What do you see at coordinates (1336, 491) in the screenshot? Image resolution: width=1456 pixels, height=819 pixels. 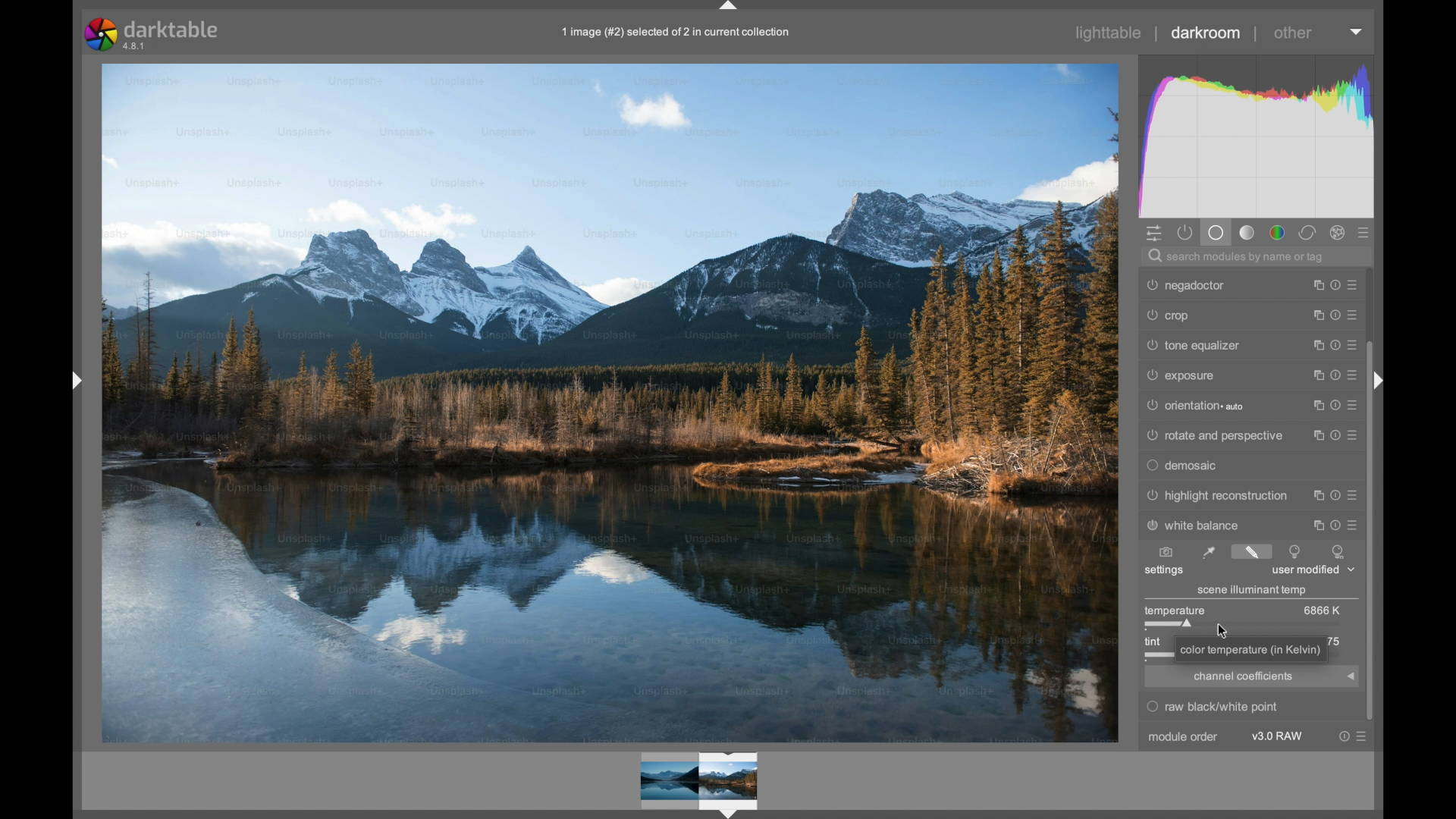 I see `reset parameters` at bounding box center [1336, 491].